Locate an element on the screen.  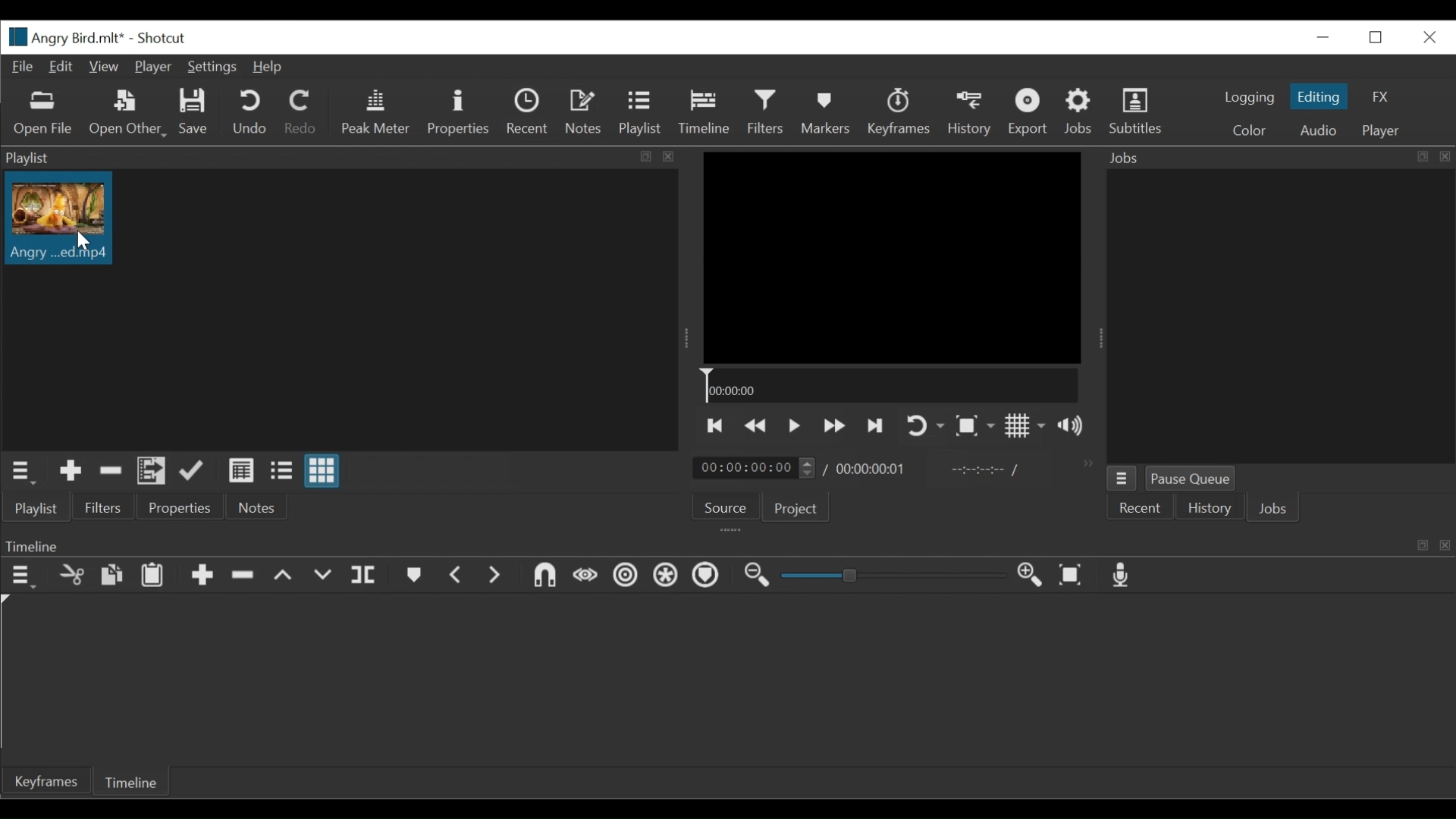
copy is located at coordinates (109, 574).